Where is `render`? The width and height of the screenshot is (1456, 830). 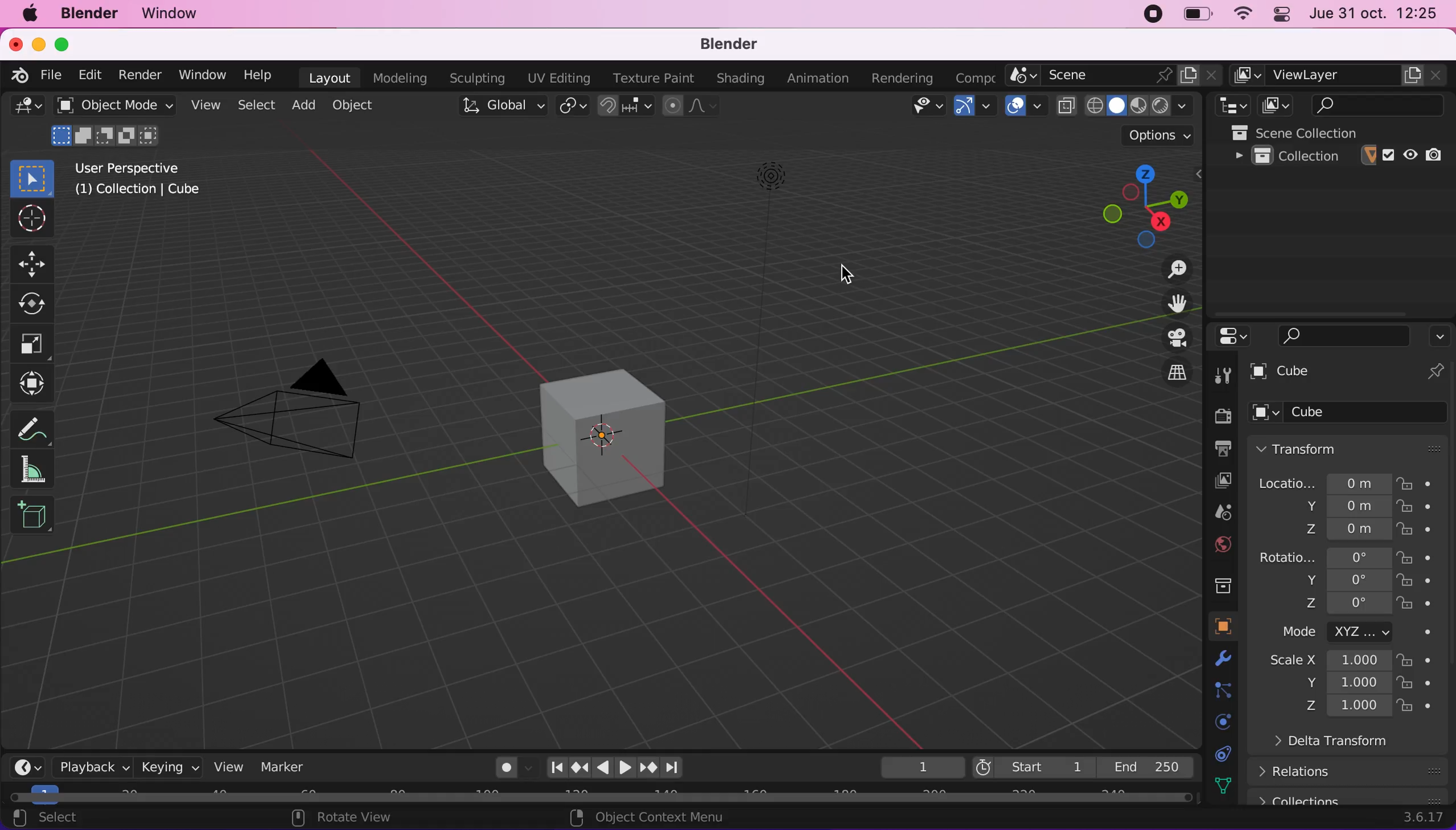 render is located at coordinates (138, 75).